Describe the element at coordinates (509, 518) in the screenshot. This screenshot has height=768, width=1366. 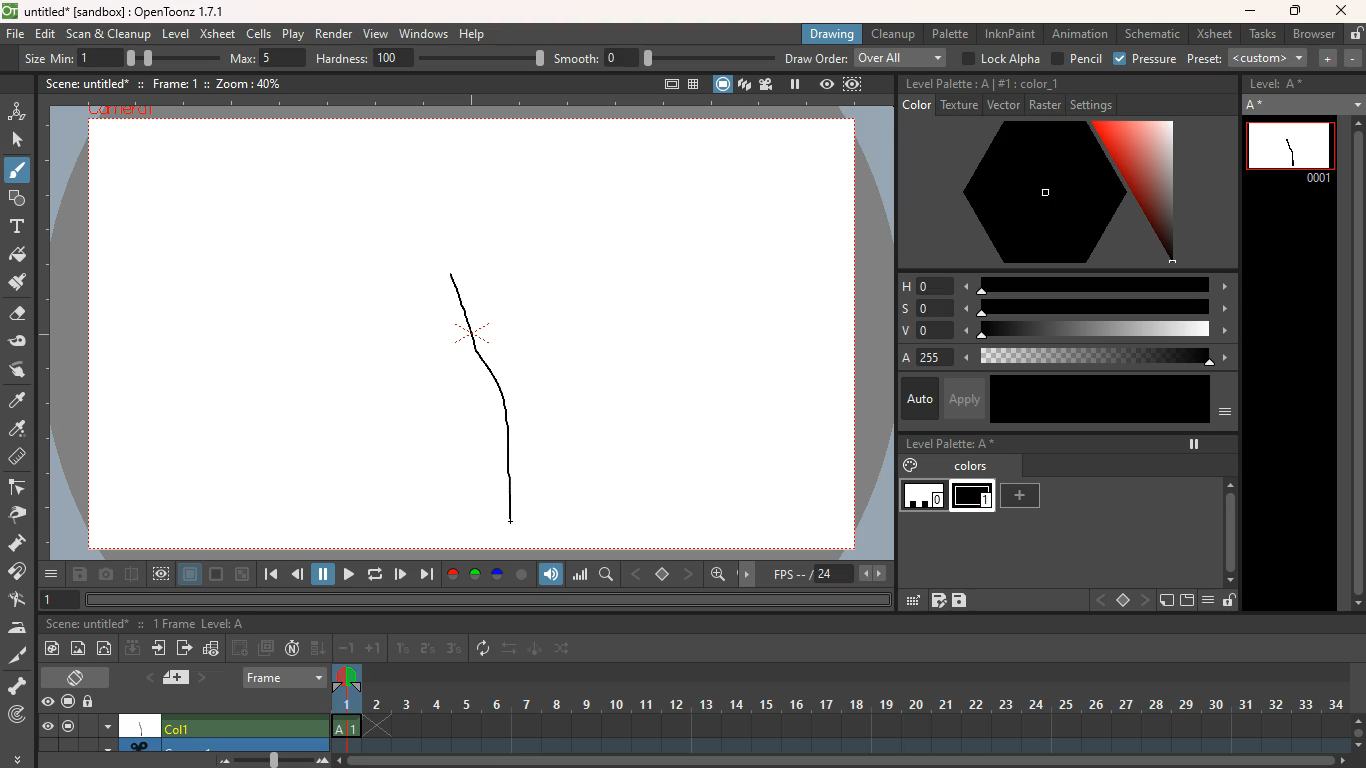
I see `drawing cursor` at that location.